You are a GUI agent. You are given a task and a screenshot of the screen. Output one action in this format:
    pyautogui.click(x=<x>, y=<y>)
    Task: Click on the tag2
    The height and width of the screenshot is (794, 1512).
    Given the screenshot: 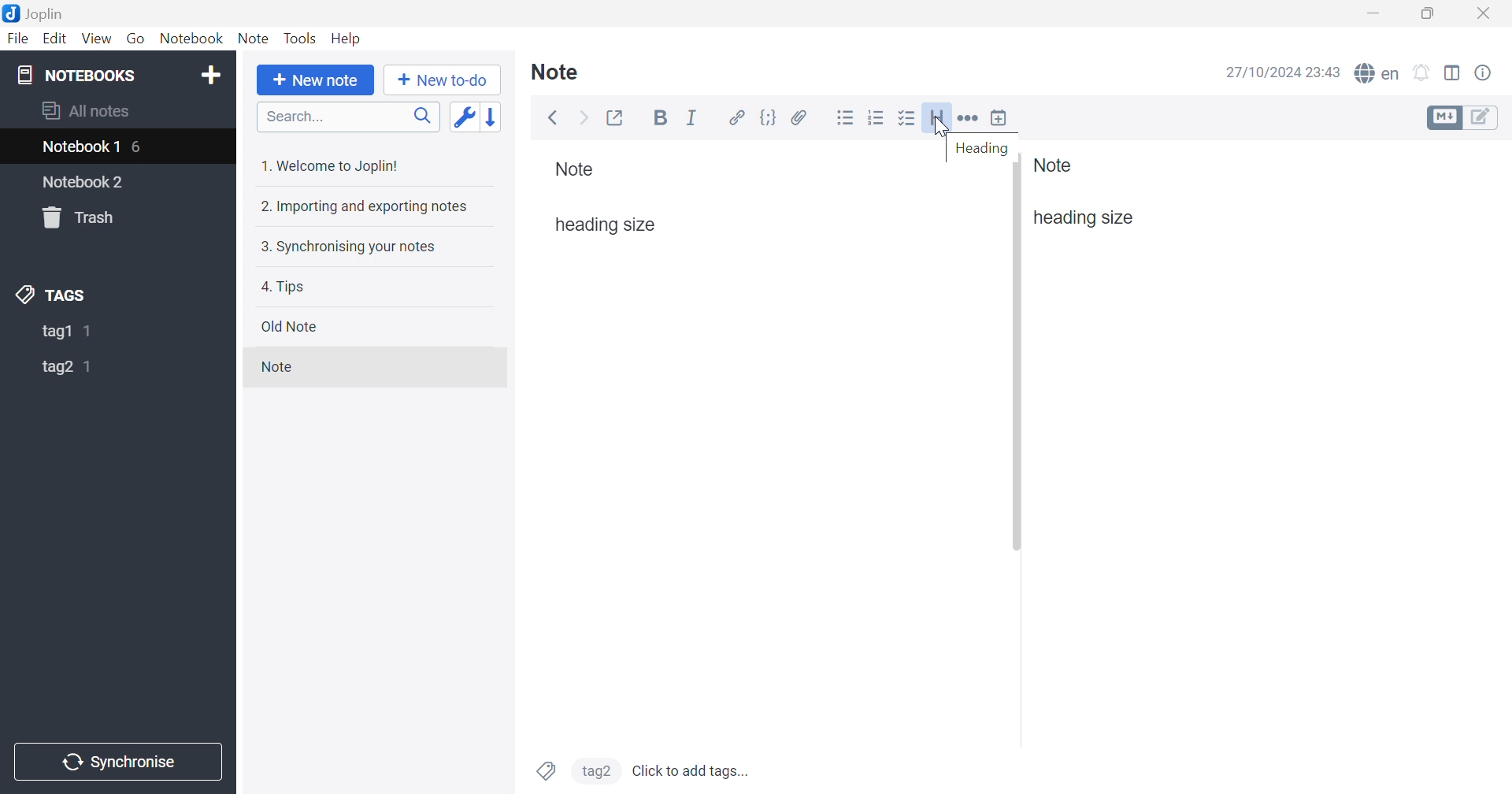 What is the action you would take?
    pyautogui.click(x=596, y=770)
    